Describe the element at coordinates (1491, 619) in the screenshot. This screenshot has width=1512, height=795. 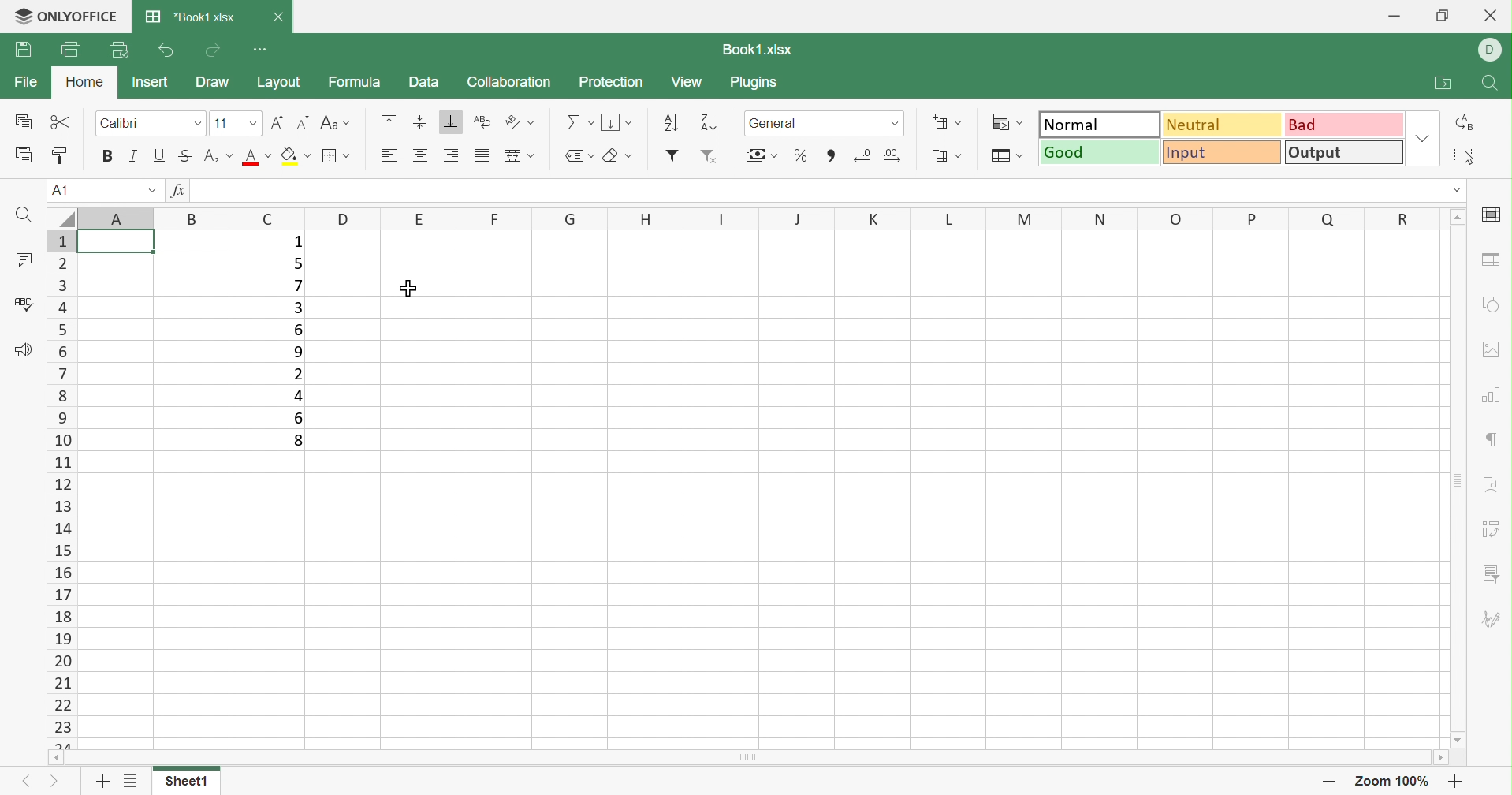
I see `Signature settings` at that location.